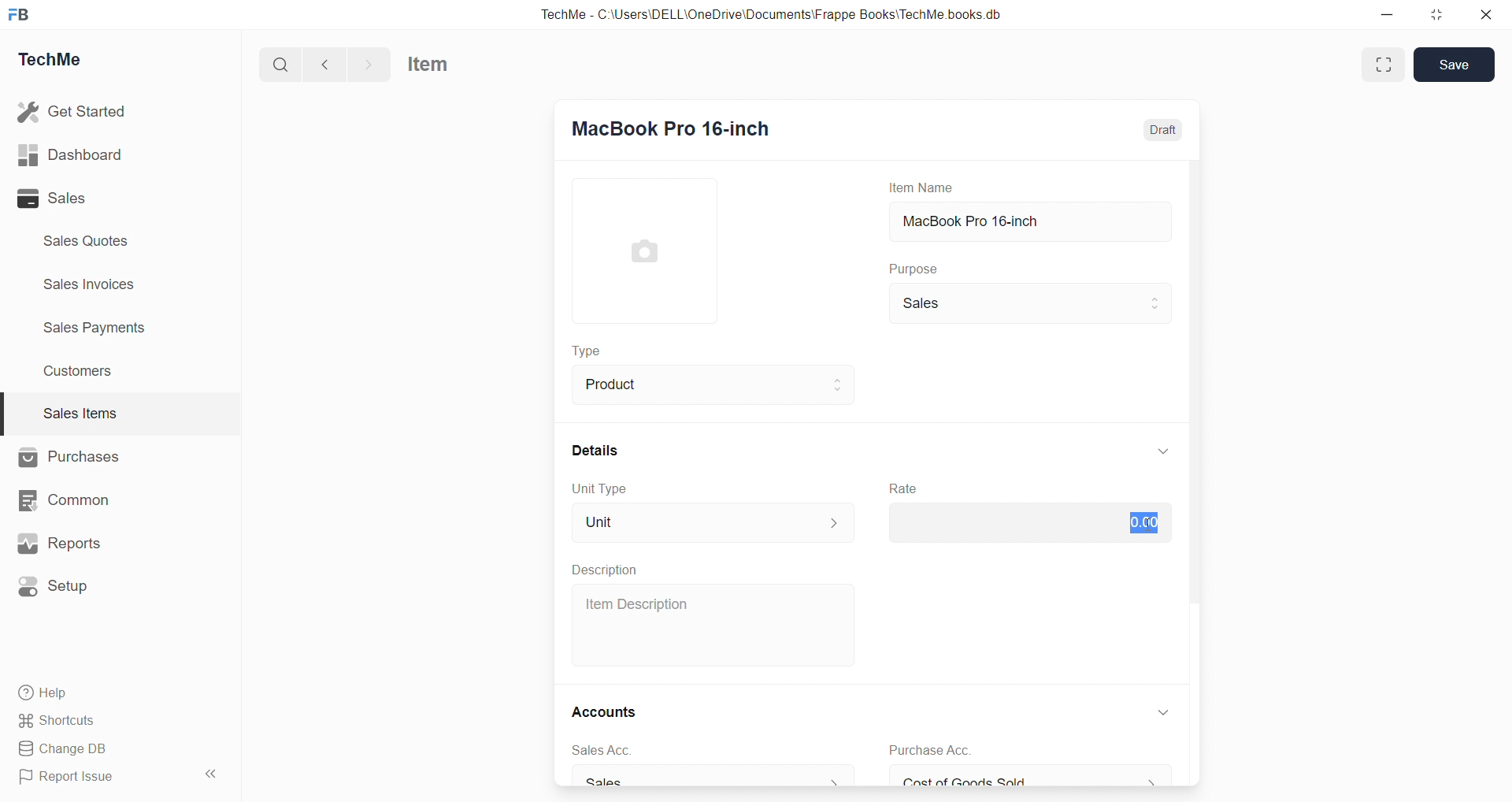 The height and width of the screenshot is (802, 1512). What do you see at coordinates (60, 721) in the screenshot?
I see `Shortcuts` at bounding box center [60, 721].